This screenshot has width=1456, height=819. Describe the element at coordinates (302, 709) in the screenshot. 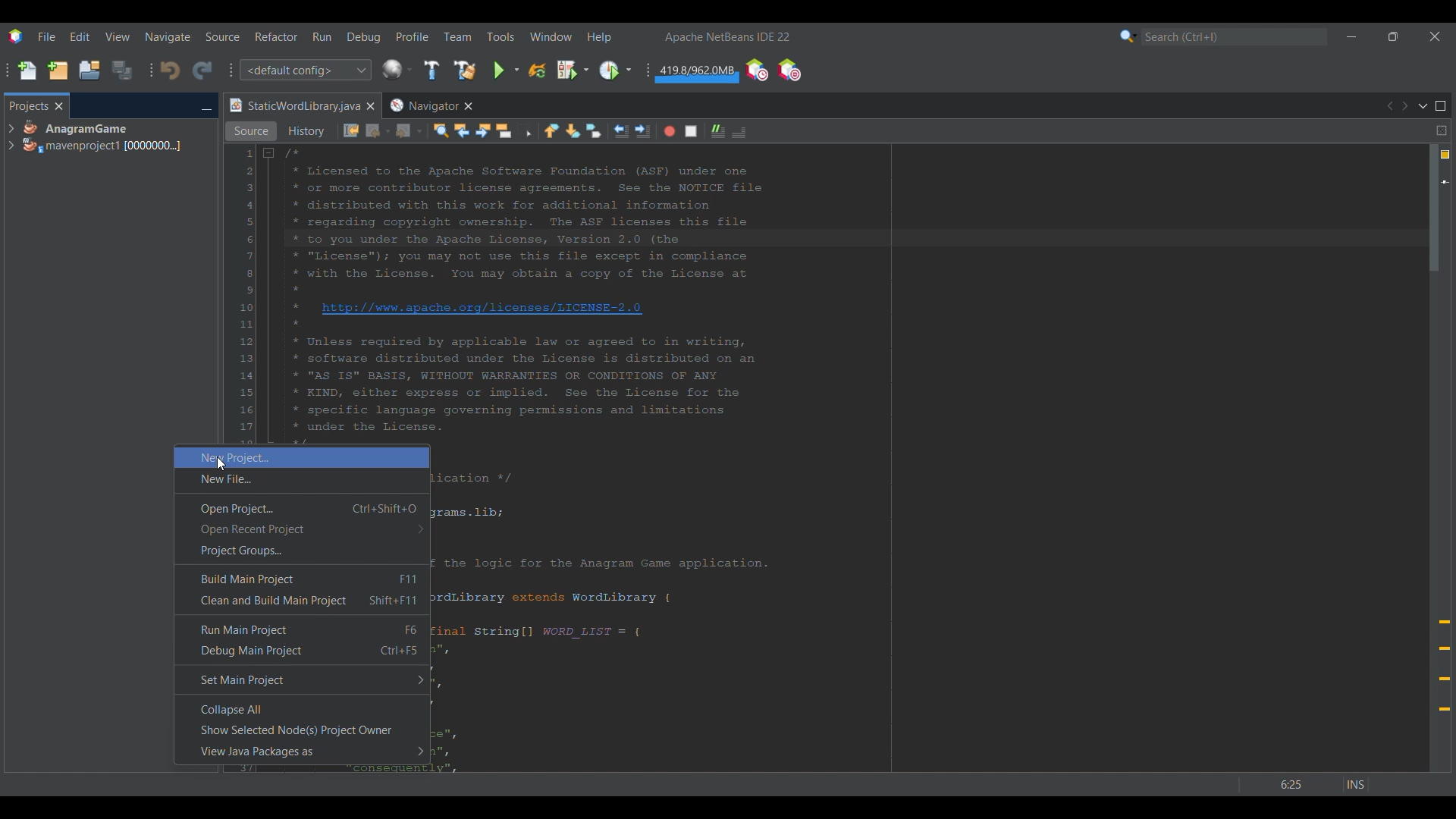

I see `Collapse all` at that location.